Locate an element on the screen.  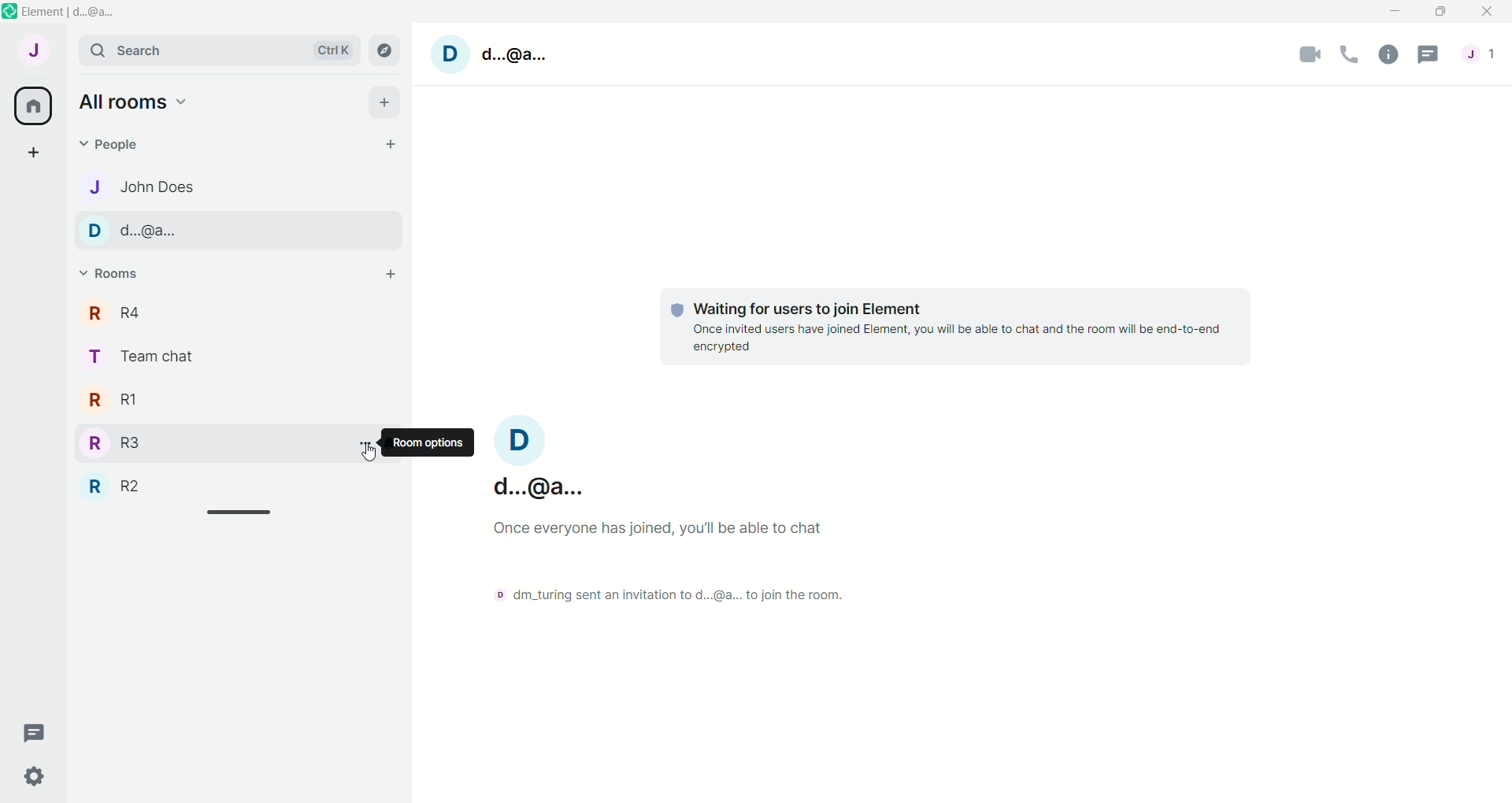
element | d...@... is located at coordinates (74, 13).